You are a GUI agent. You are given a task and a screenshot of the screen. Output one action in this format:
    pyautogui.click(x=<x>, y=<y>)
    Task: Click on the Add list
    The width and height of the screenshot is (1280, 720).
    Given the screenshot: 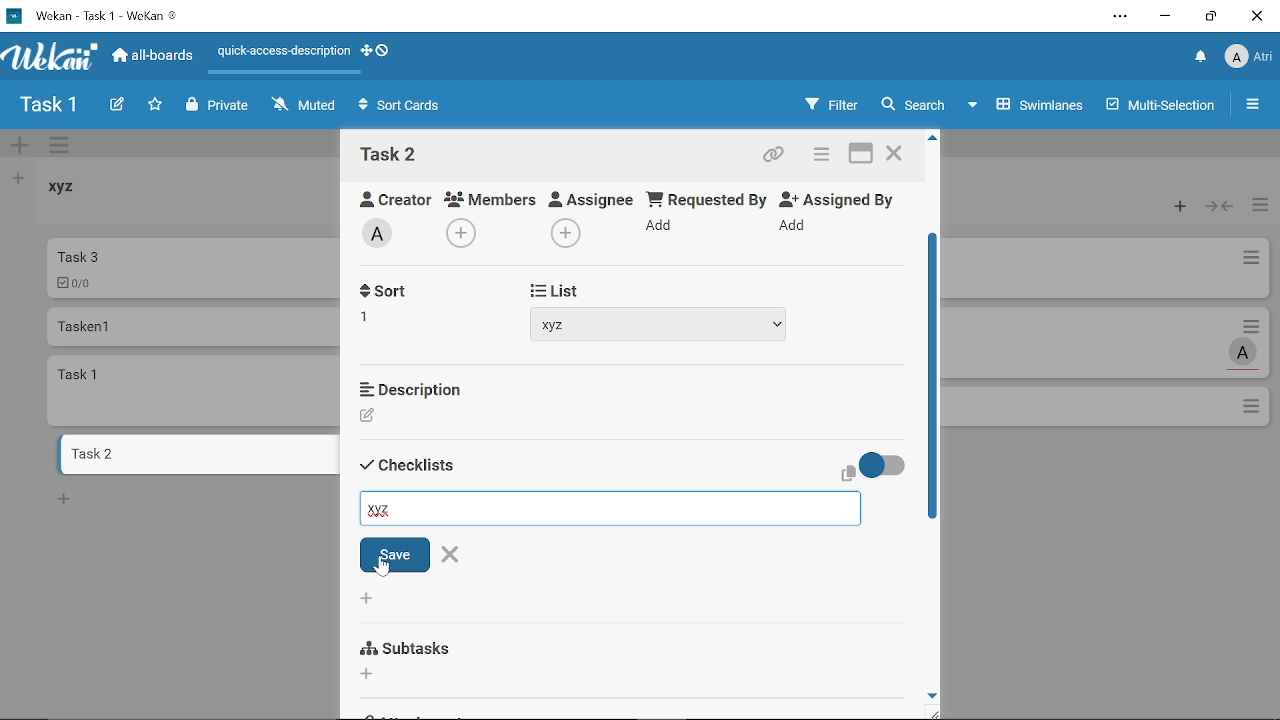 What is the action you would take?
    pyautogui.click(x=16, y=178)
    